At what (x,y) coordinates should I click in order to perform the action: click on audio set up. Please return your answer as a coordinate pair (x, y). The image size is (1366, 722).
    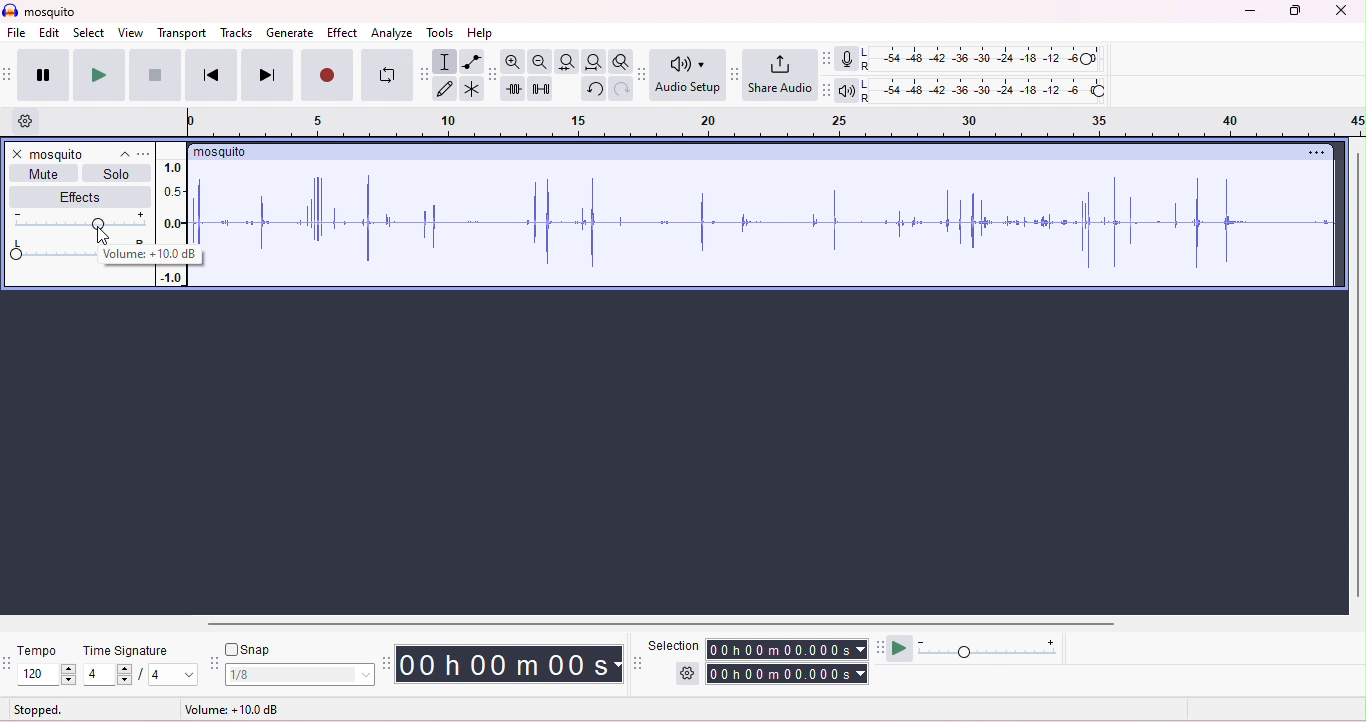
    Looking at the image, I should click on (688, 76).